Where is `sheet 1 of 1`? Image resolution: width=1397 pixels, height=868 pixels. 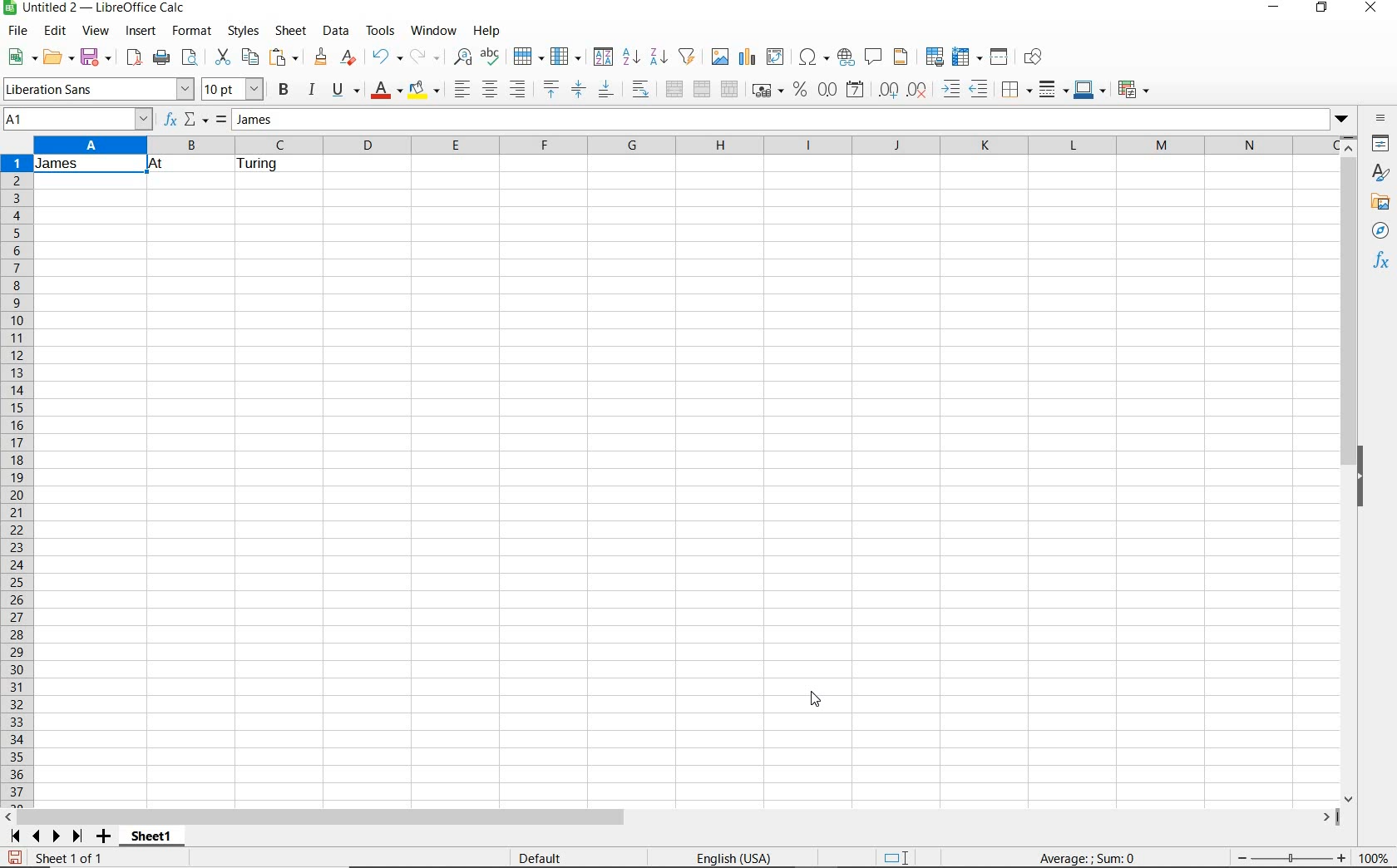
sheet 1 of 1 is located at coordinates (68, 857).